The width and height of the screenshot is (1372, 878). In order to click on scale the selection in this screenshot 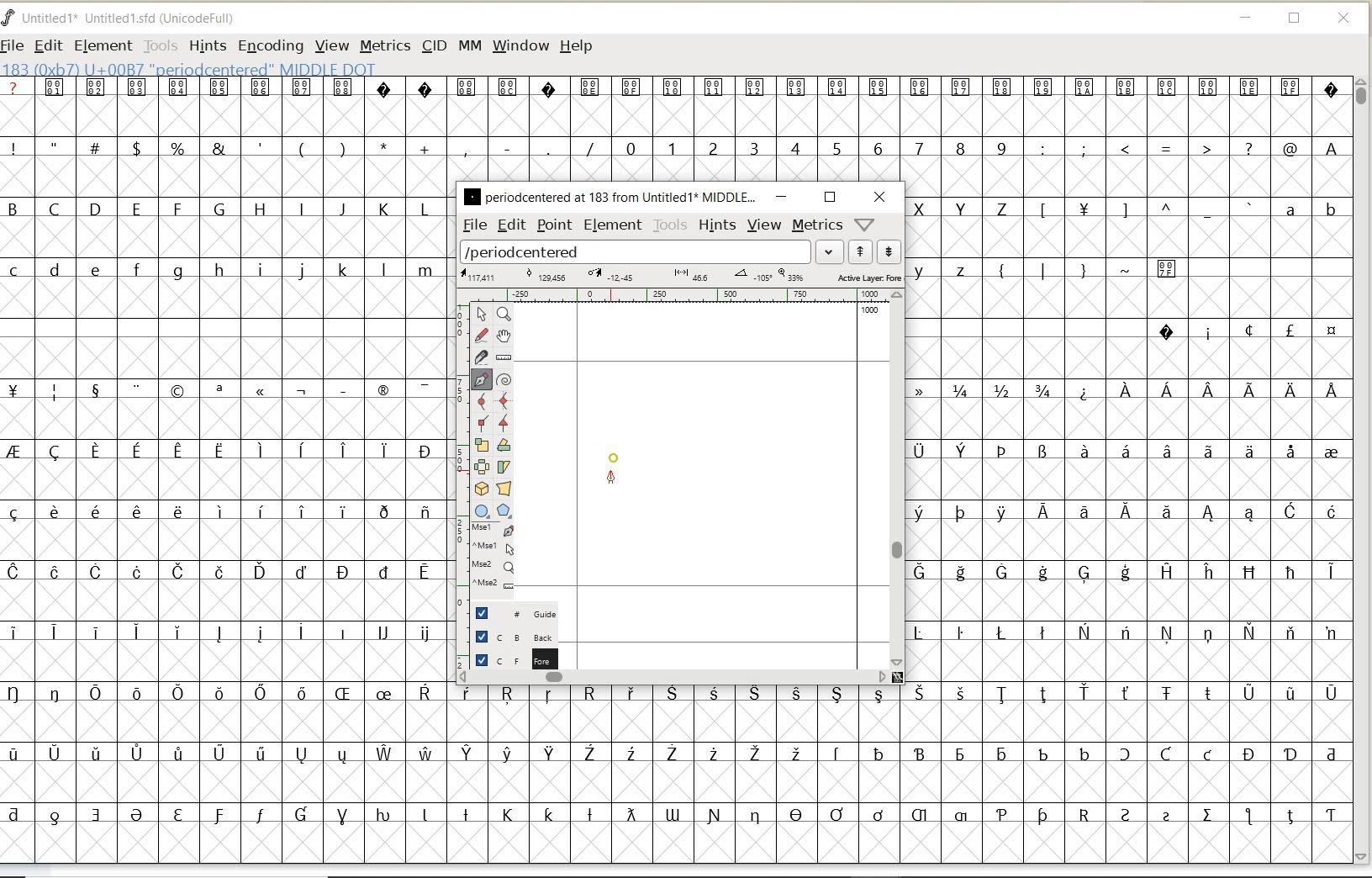, I will do `click(480, 446)`.